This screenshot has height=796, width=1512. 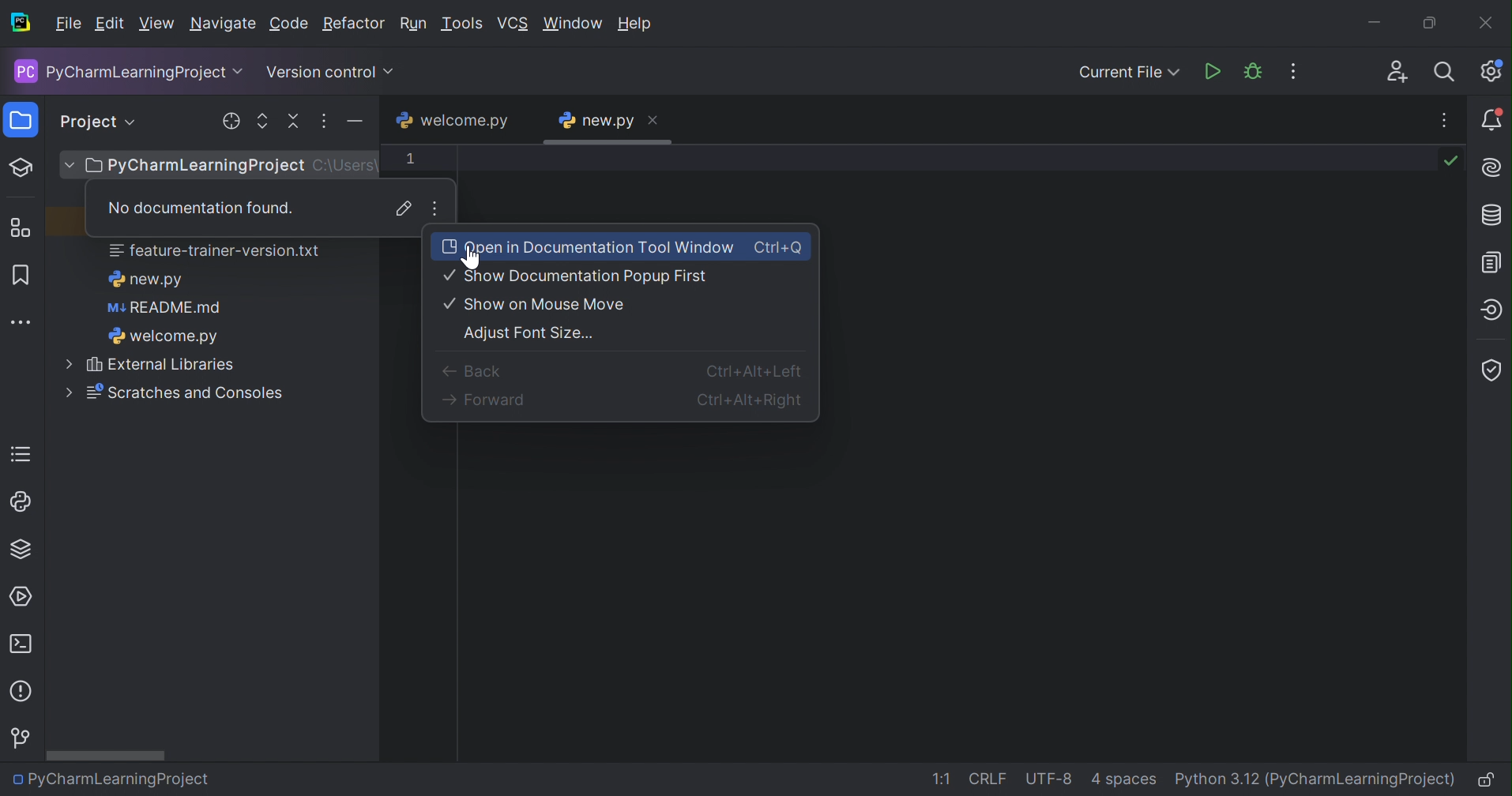 I want to click on Forward, so click(x=483, y=400).